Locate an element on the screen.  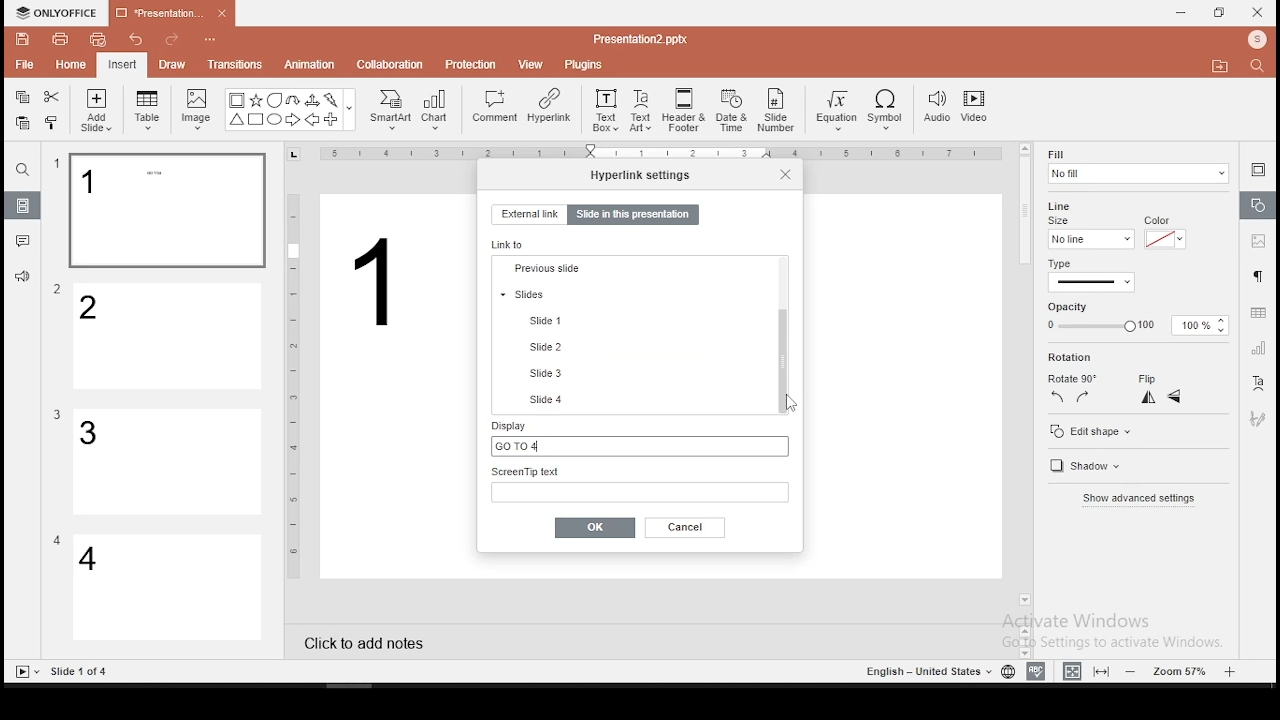
flip vertical is located at coordinates (1176, 399).